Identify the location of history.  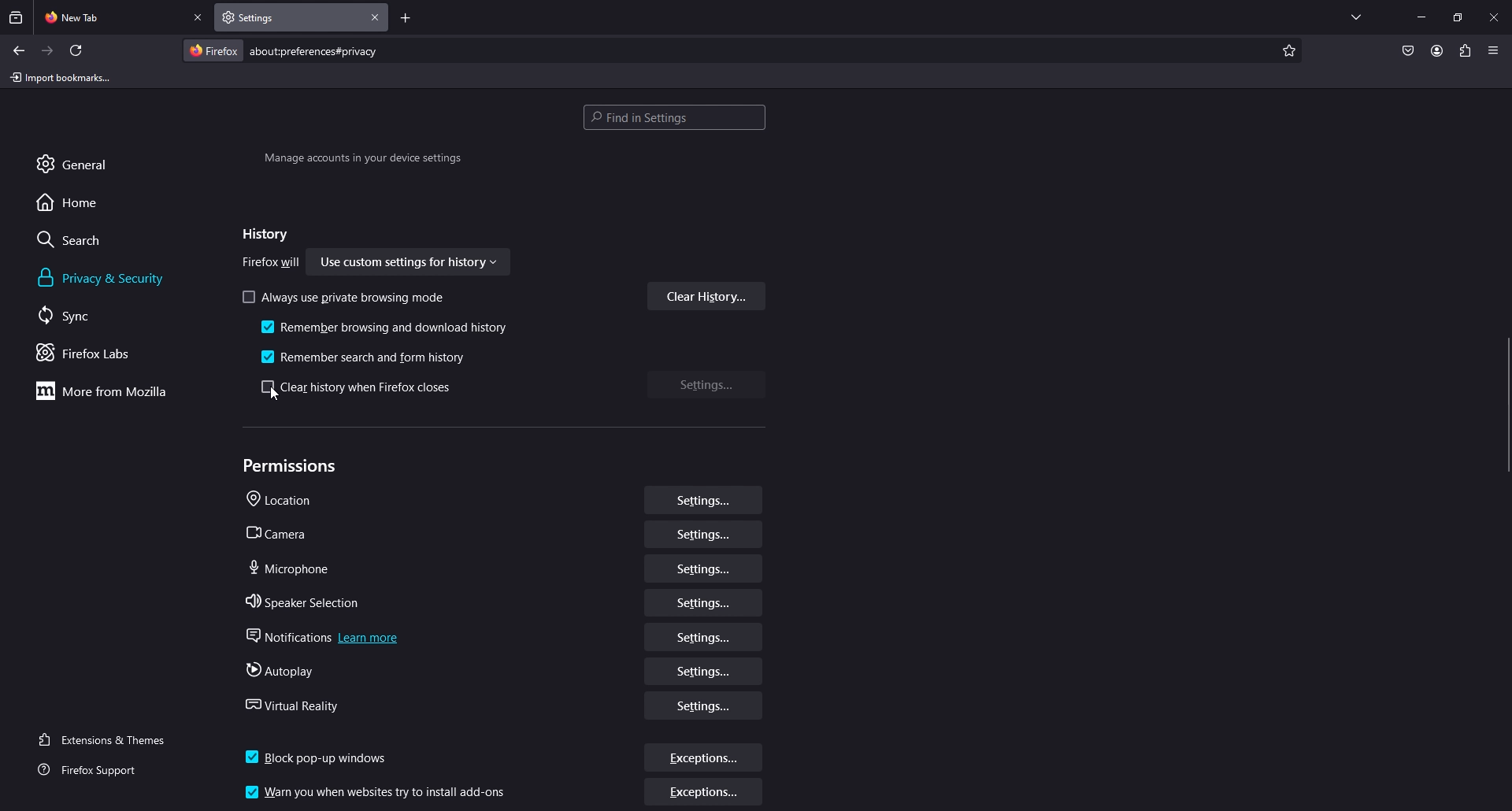
(261, 235).